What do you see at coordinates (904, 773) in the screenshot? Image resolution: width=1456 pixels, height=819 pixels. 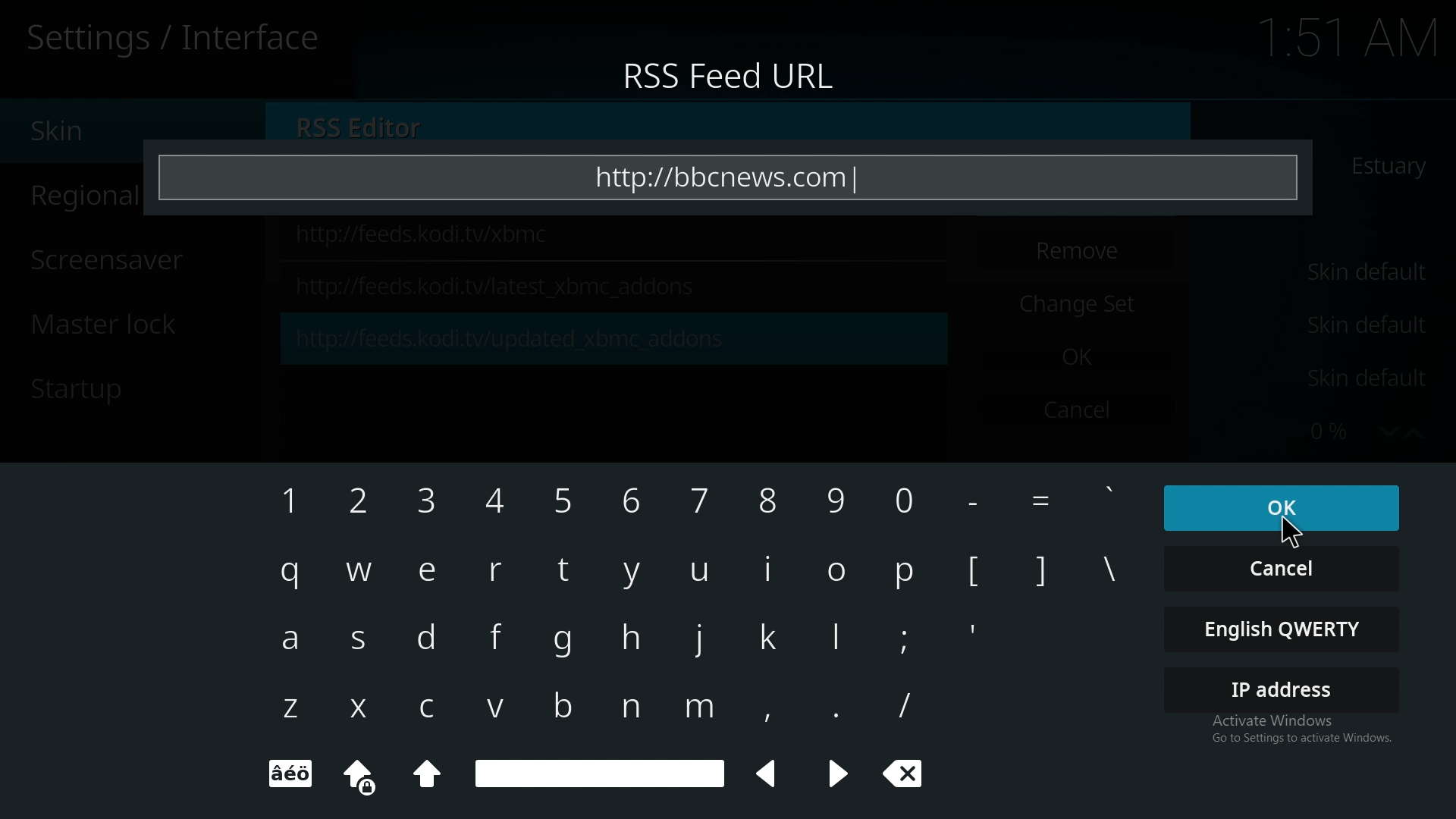 I see `clear` at bounding box center [904, 773].